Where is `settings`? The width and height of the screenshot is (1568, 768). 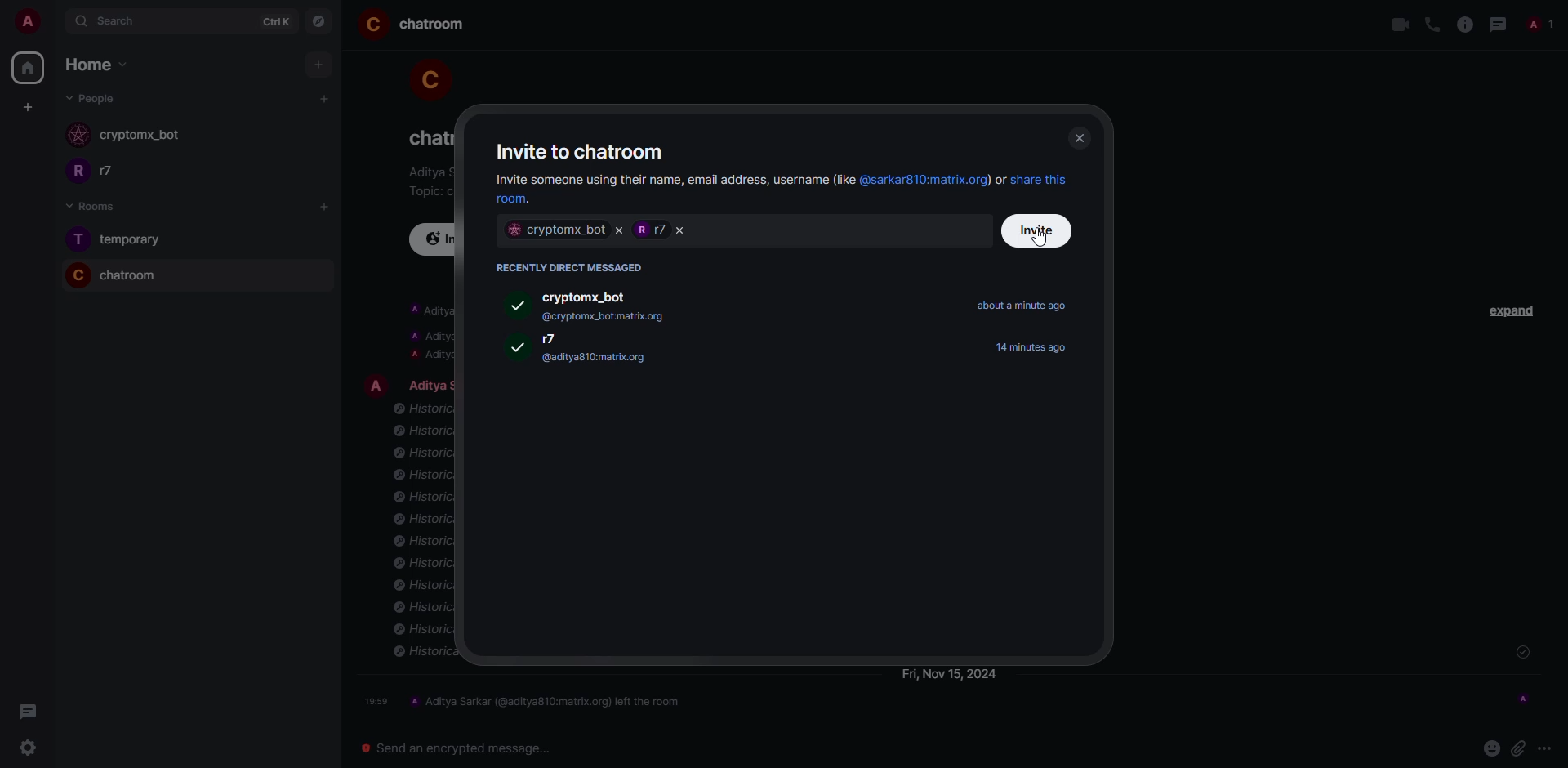
settings is located at coordinates (23, 749).